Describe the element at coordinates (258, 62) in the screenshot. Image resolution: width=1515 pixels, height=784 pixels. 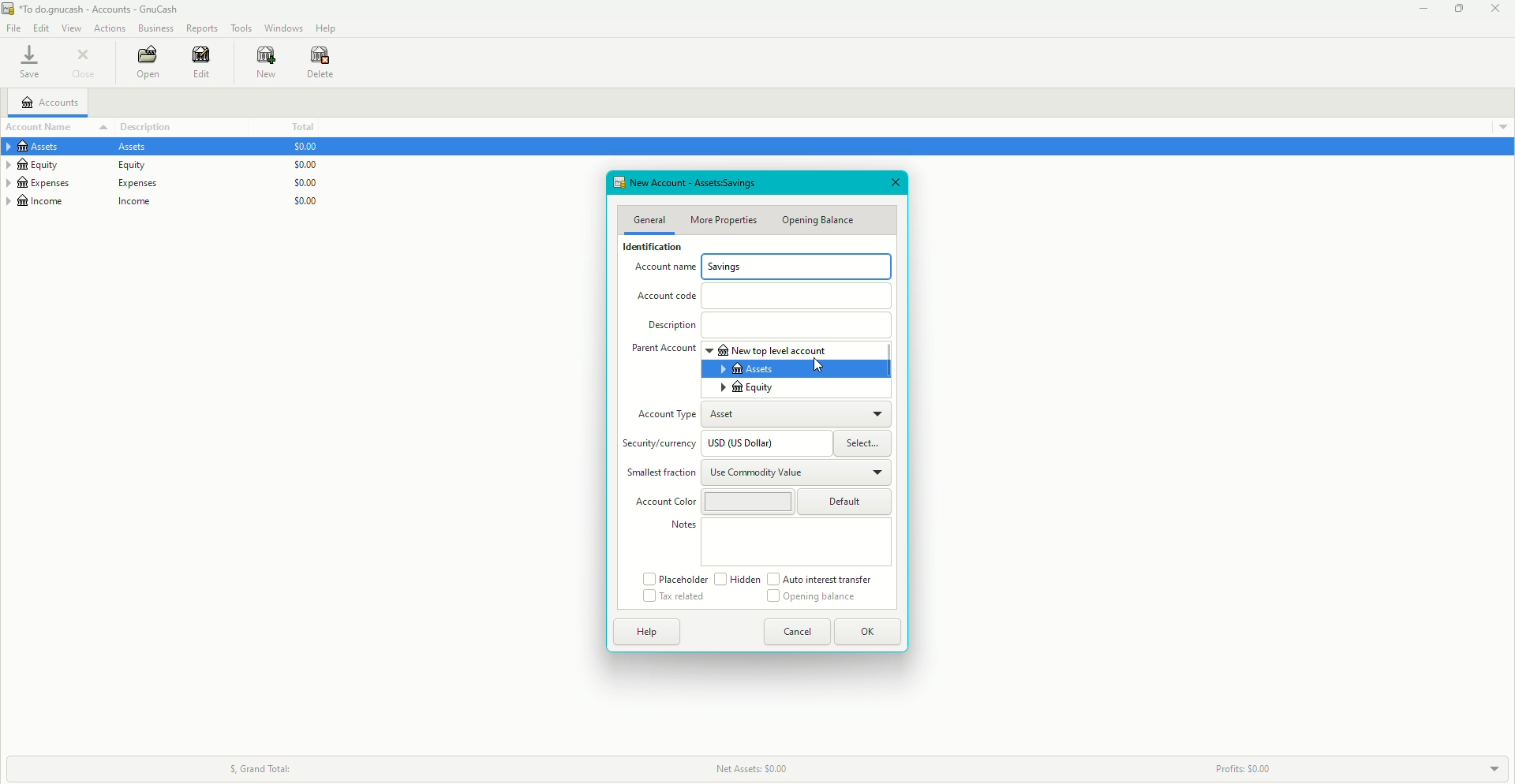
I see `New` at that location.